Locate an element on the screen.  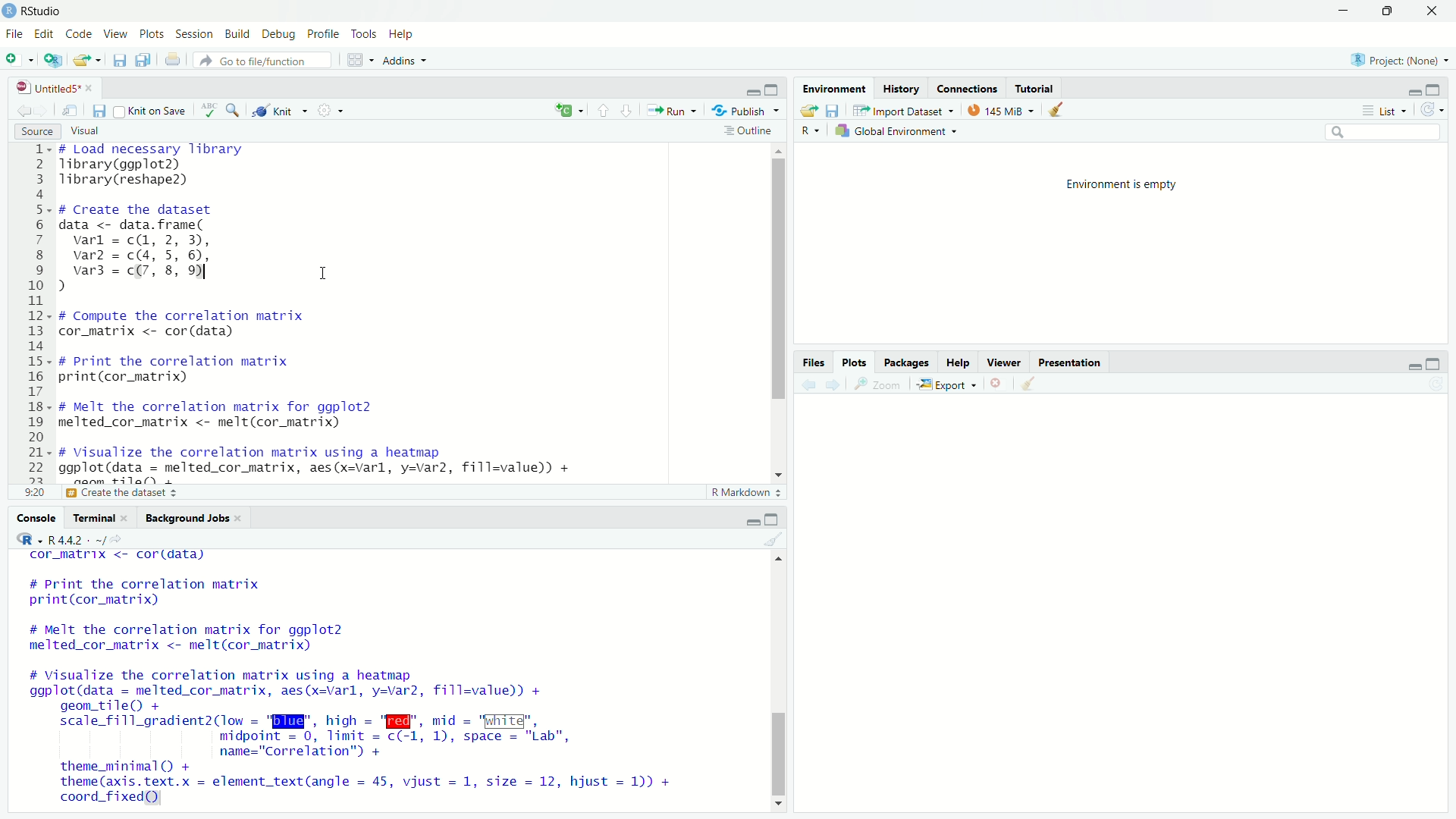
publish is located at coordinates (745, 111).